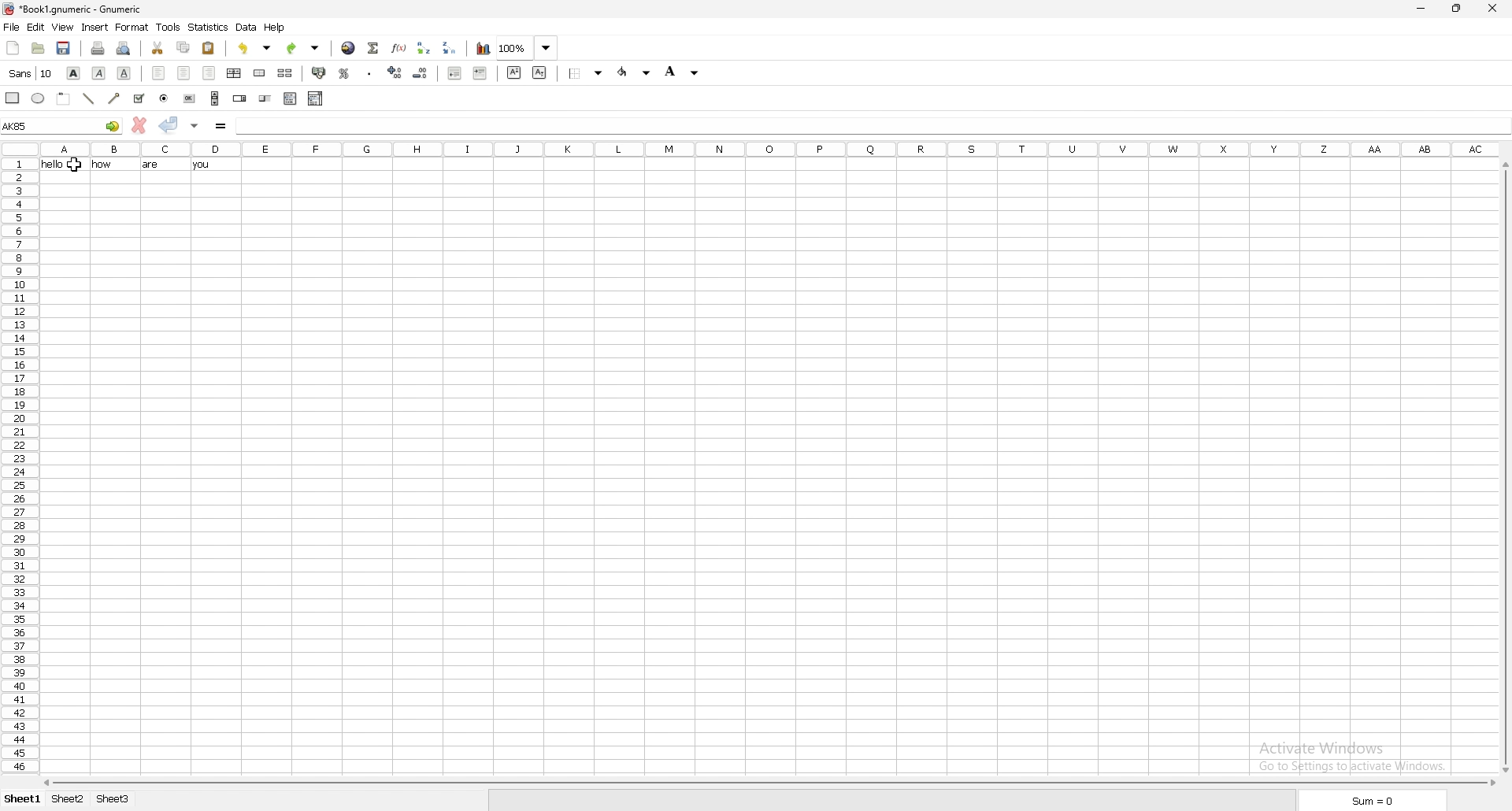 The height and width of the screenshot is (811, 1512). Describe the element at coordinates (349, 47) in the screenshot. I see `hyperlink` at that location.